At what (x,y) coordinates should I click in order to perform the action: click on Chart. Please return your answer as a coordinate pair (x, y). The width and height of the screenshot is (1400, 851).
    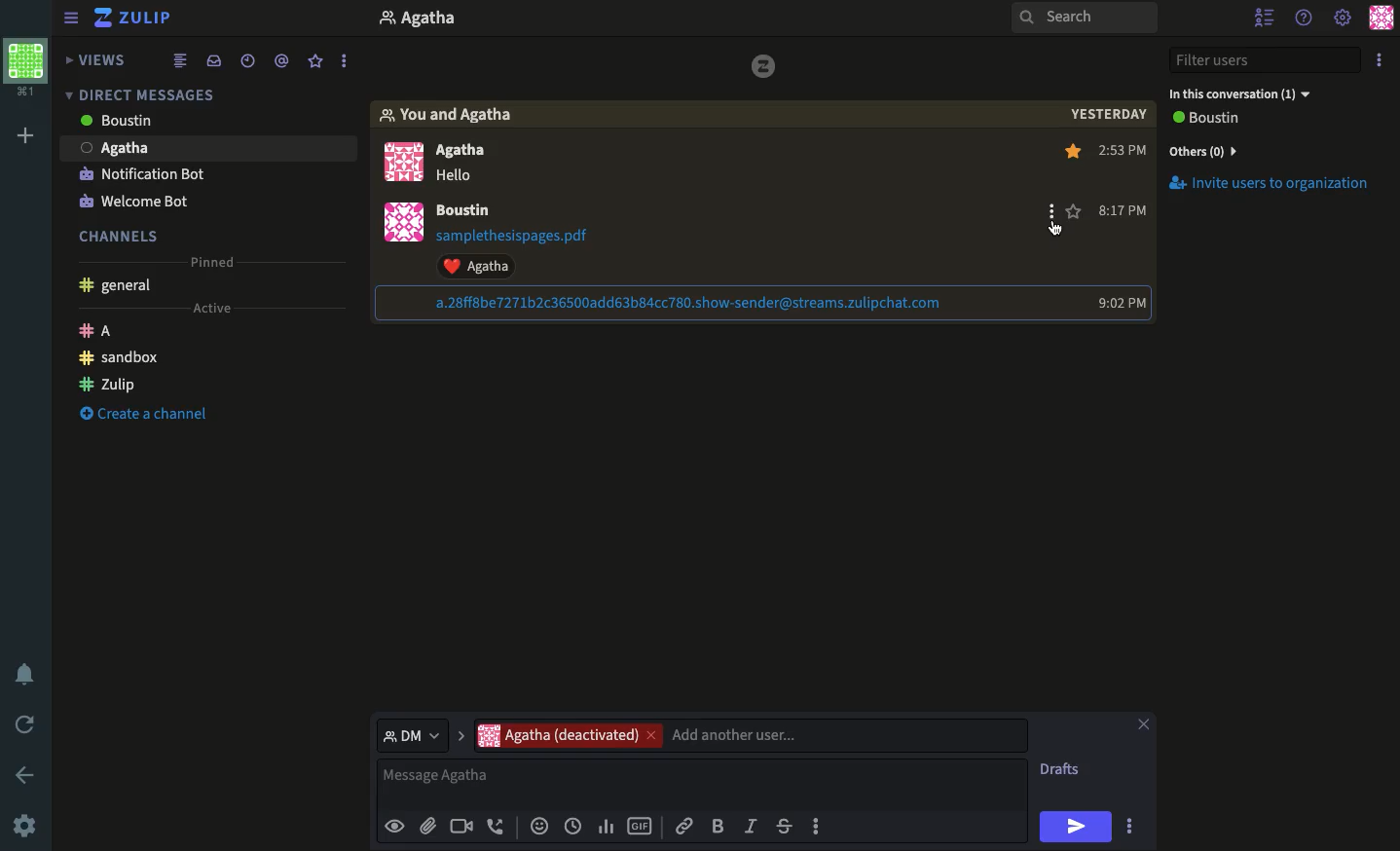
    Looking at the image, I should click on (607, 827).